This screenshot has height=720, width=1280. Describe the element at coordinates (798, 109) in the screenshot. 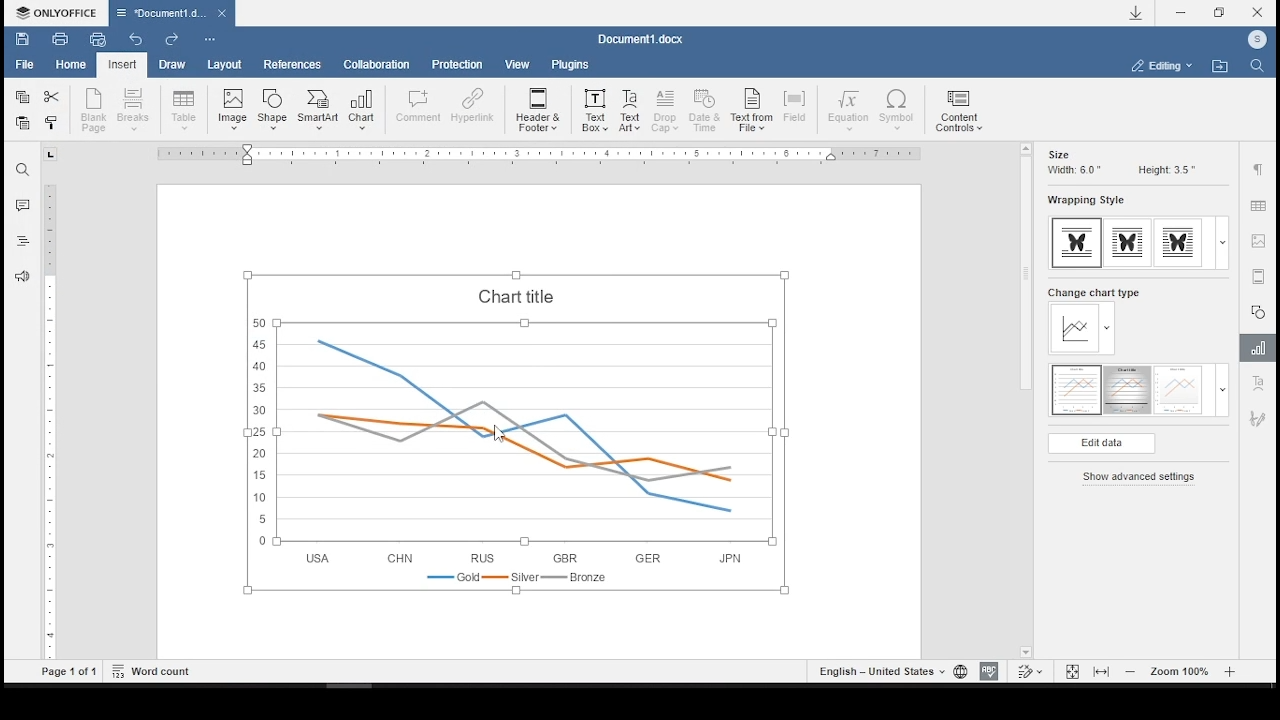

I see `field` at that location.